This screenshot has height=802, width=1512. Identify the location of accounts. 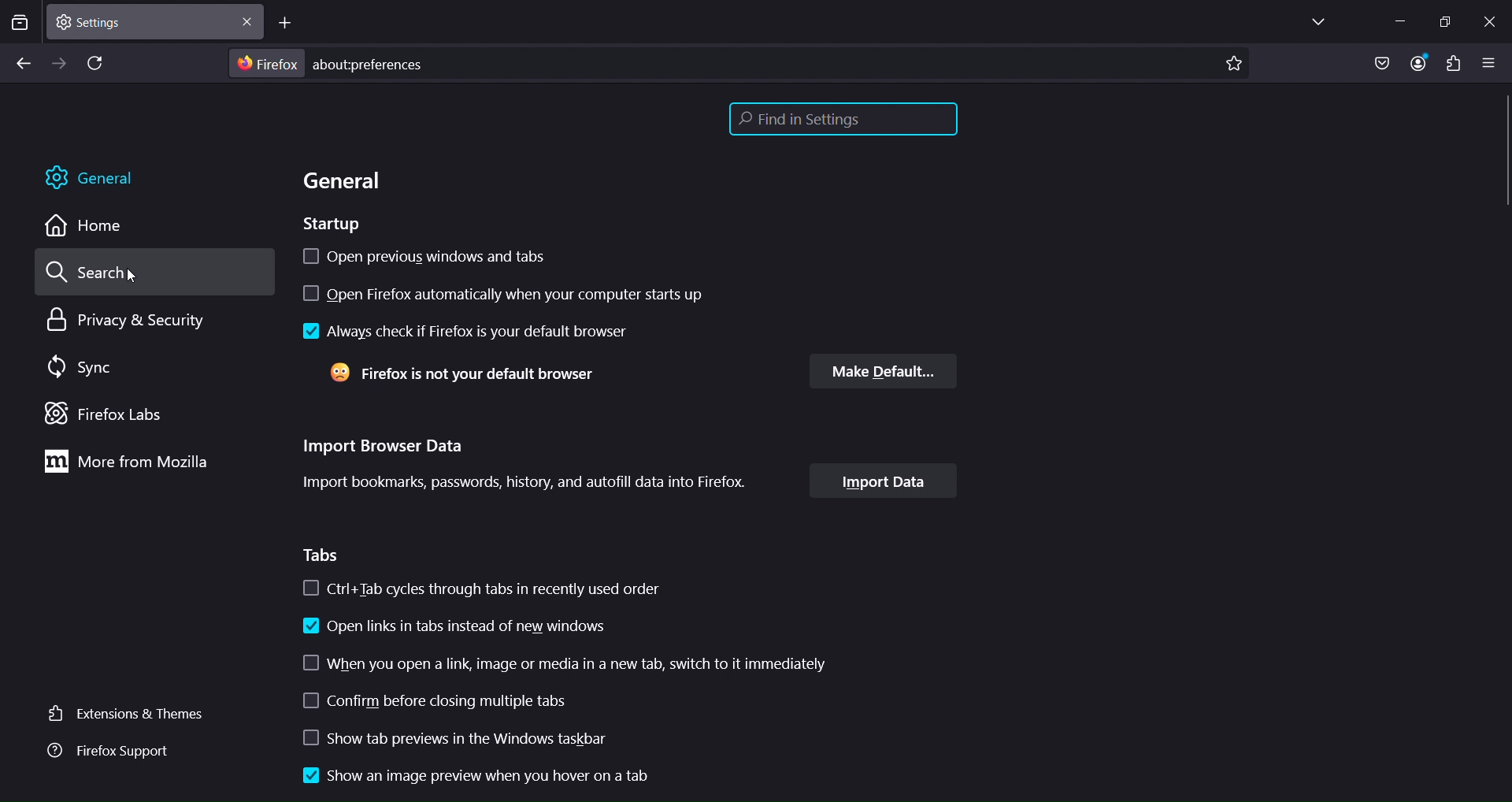
(1422, 64).